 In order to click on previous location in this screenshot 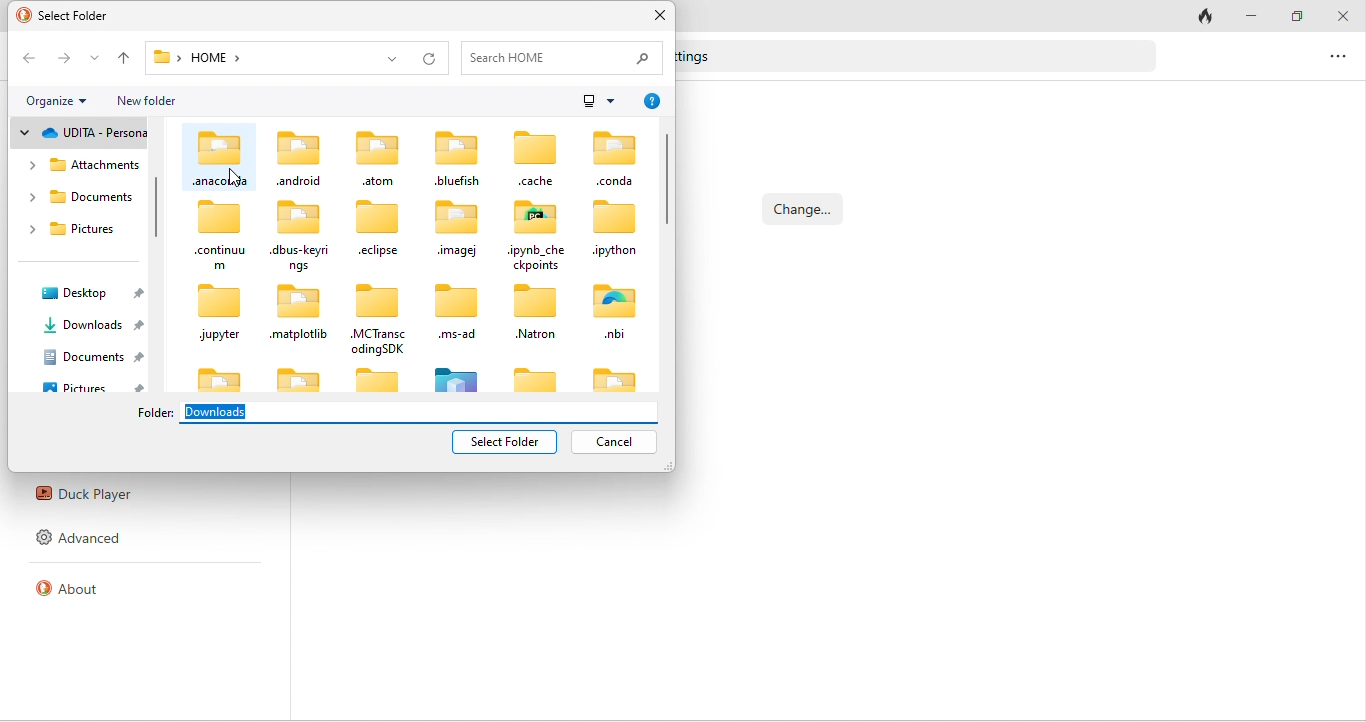, I will do `click(388, 56)`.